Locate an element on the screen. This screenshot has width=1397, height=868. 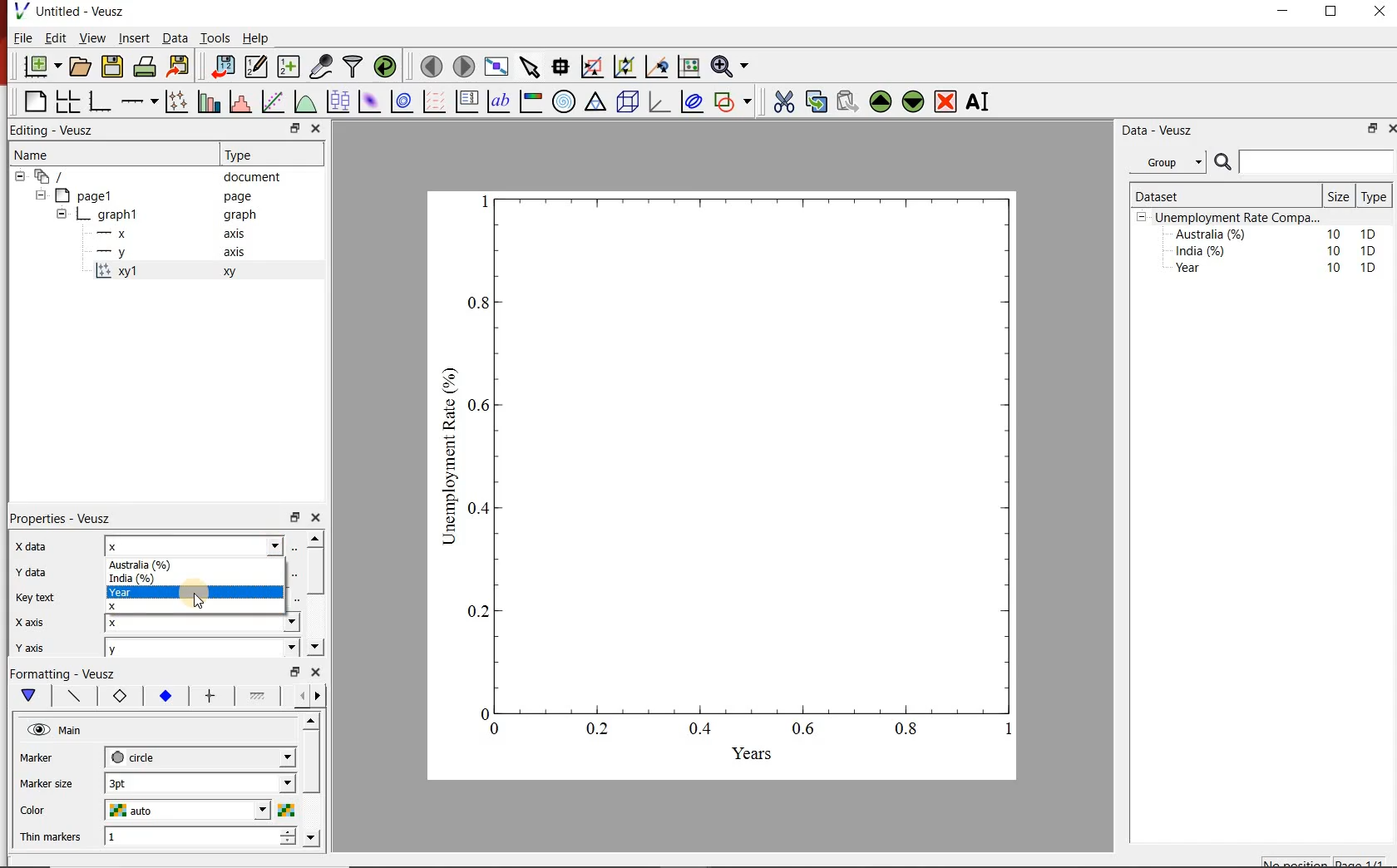
move to next page is located at coordinates (465, 67).